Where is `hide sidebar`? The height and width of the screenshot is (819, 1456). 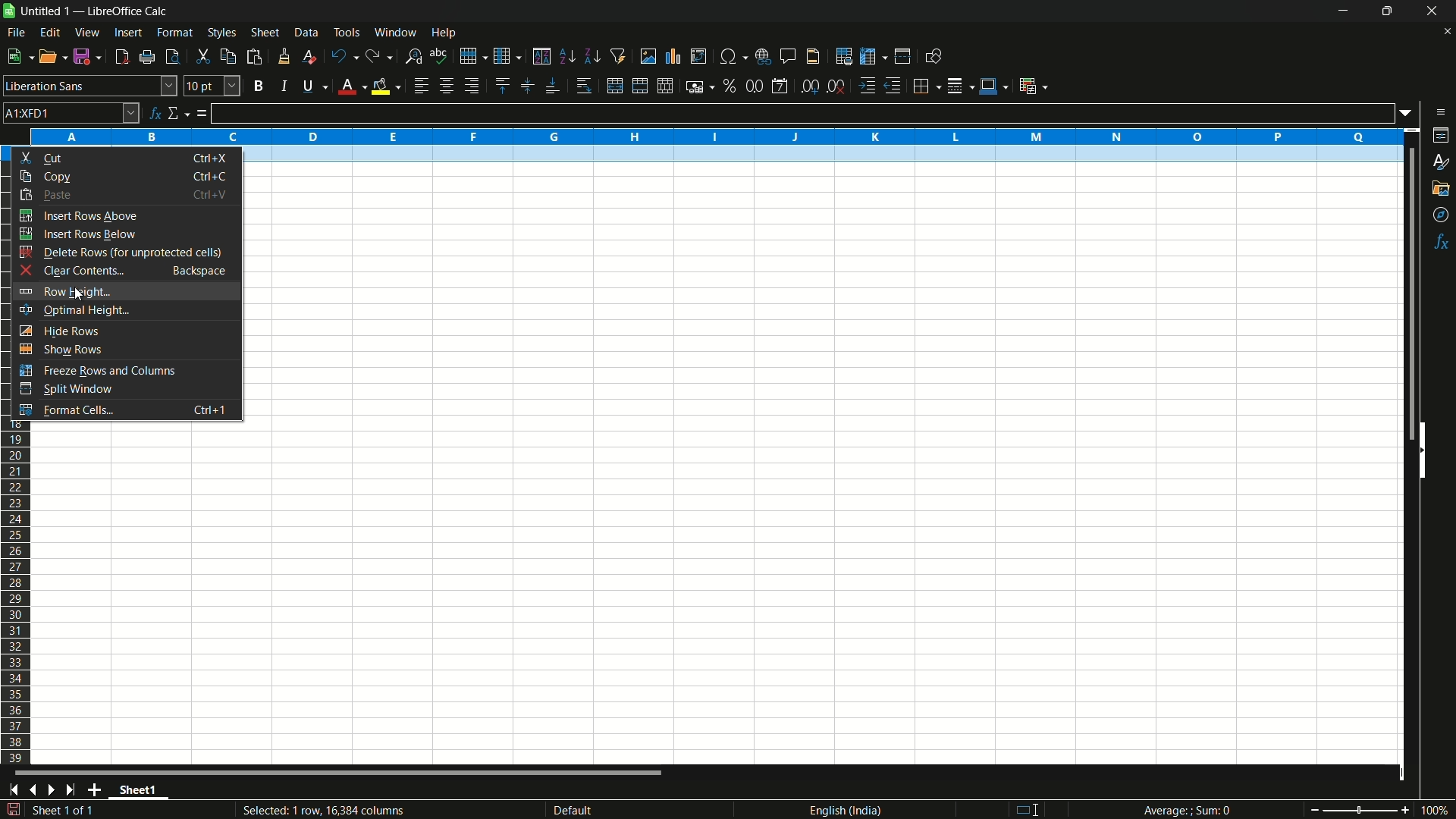 hide sidebar is located at coordinates (1429, 449).